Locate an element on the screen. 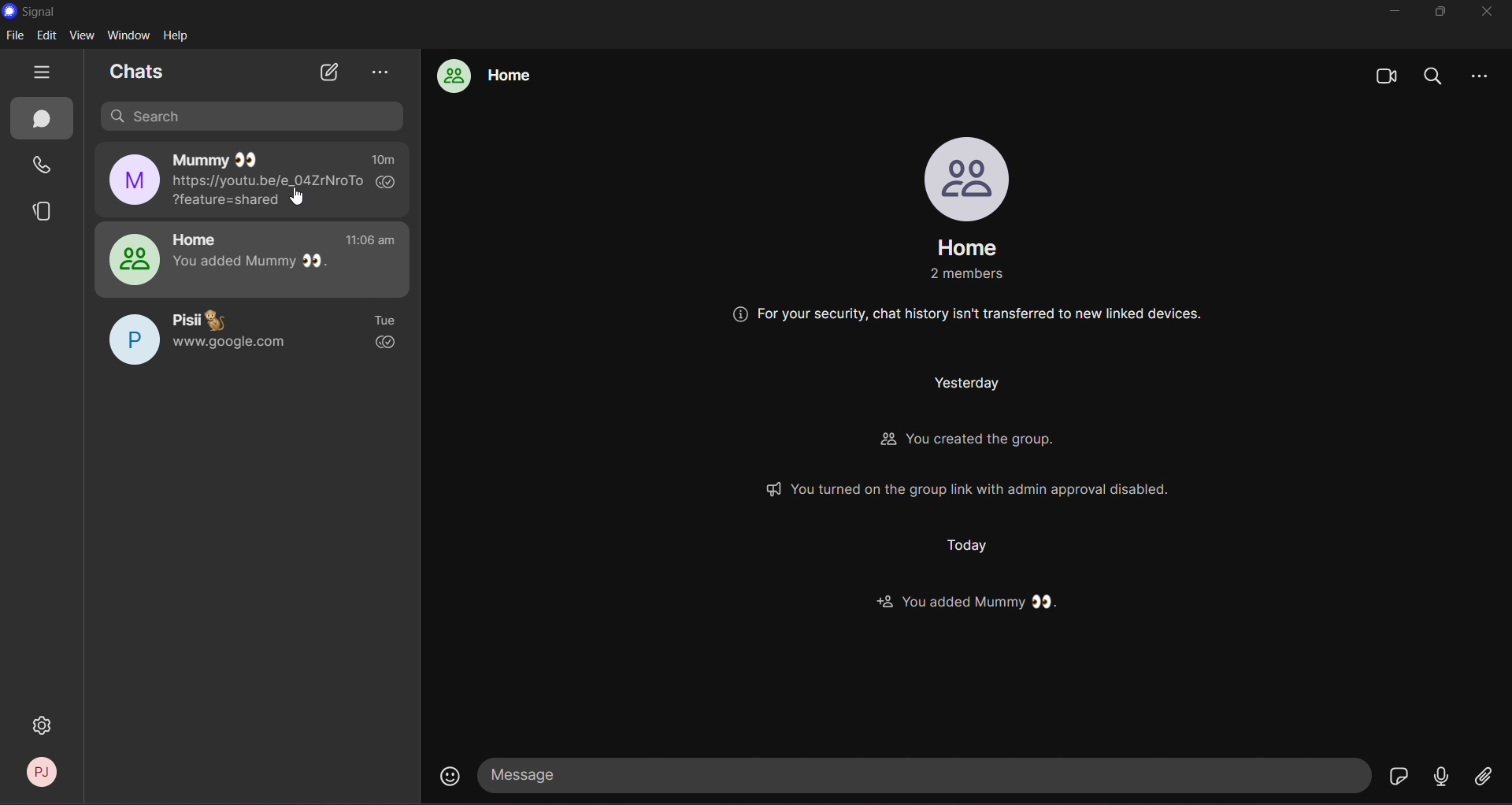  voice message is located at coordinates (1443, 781).